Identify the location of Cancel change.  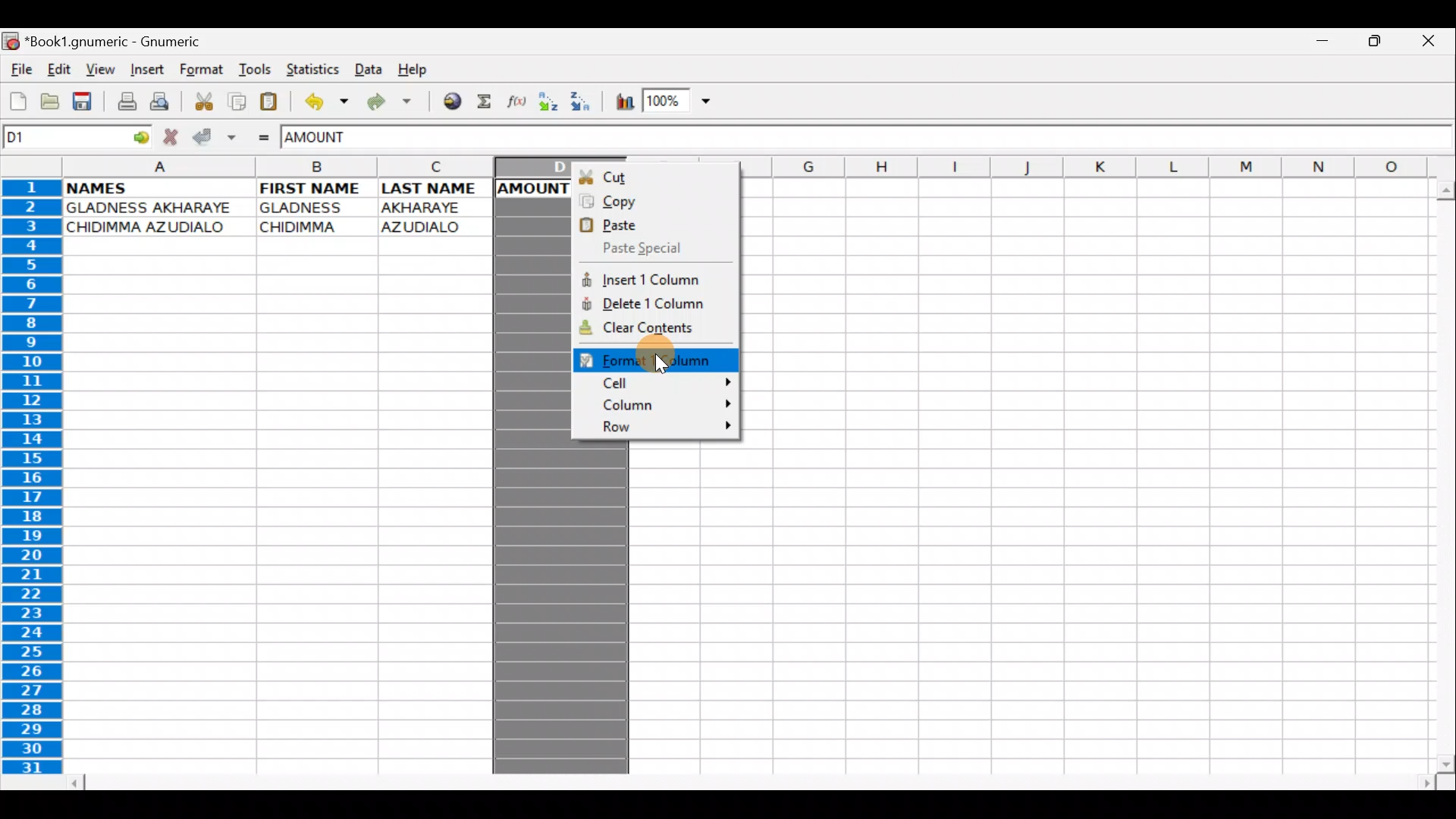
(173, 136).